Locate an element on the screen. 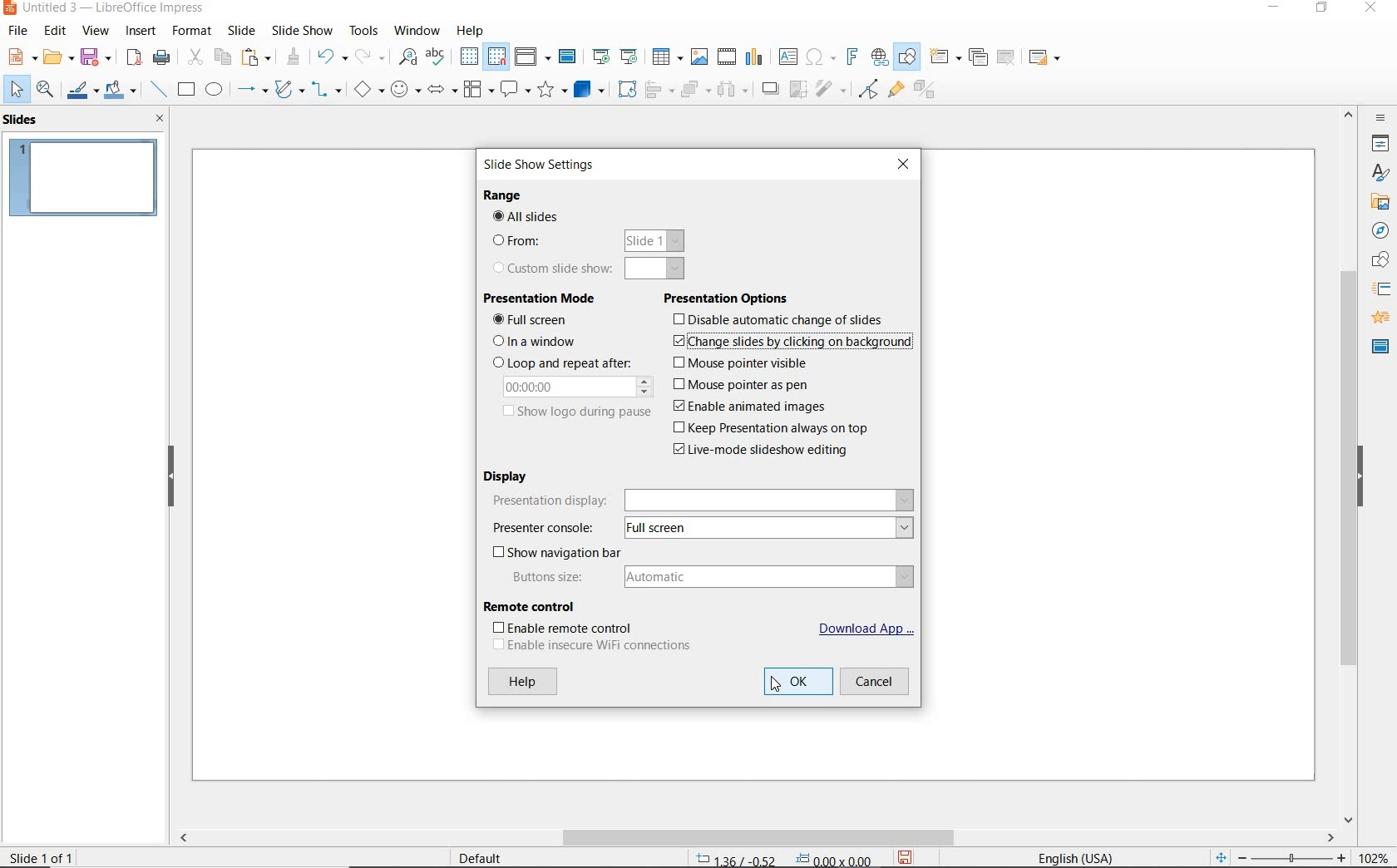  SLIDE TRANSITION is located at coordinates (1378, 290).